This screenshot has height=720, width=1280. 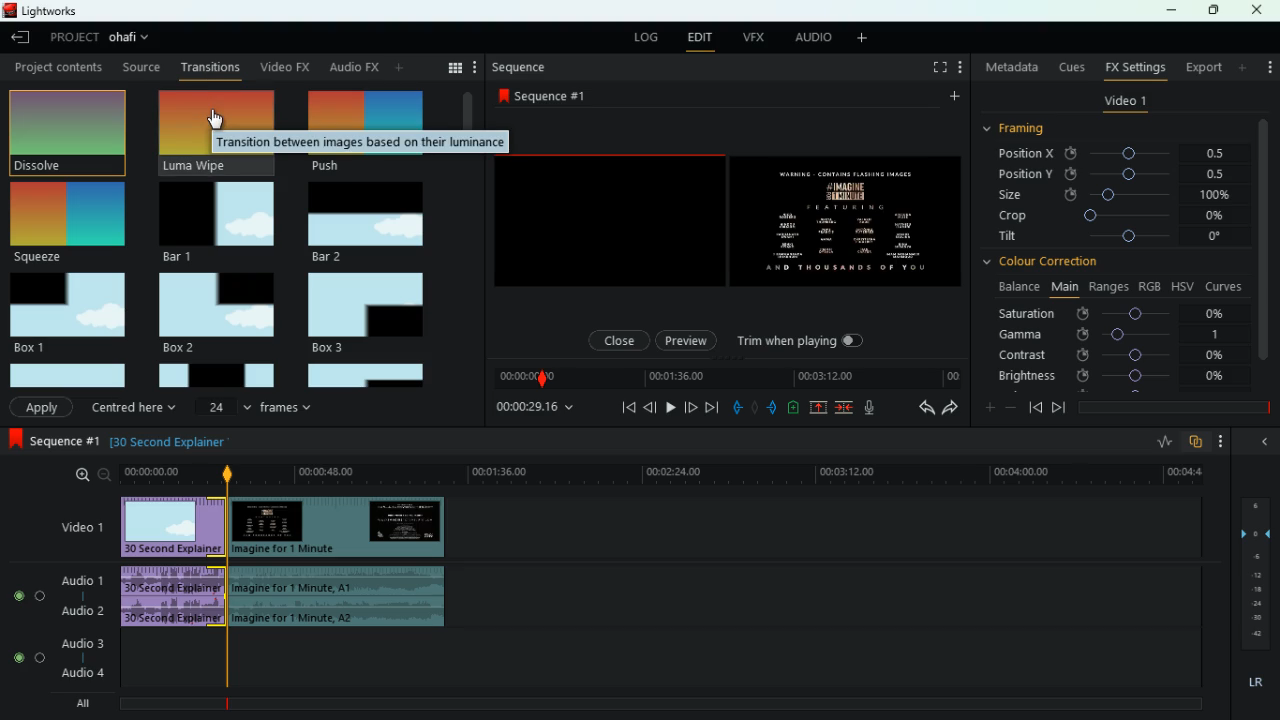 I want to click on crop, so click(x=1114, y=217).